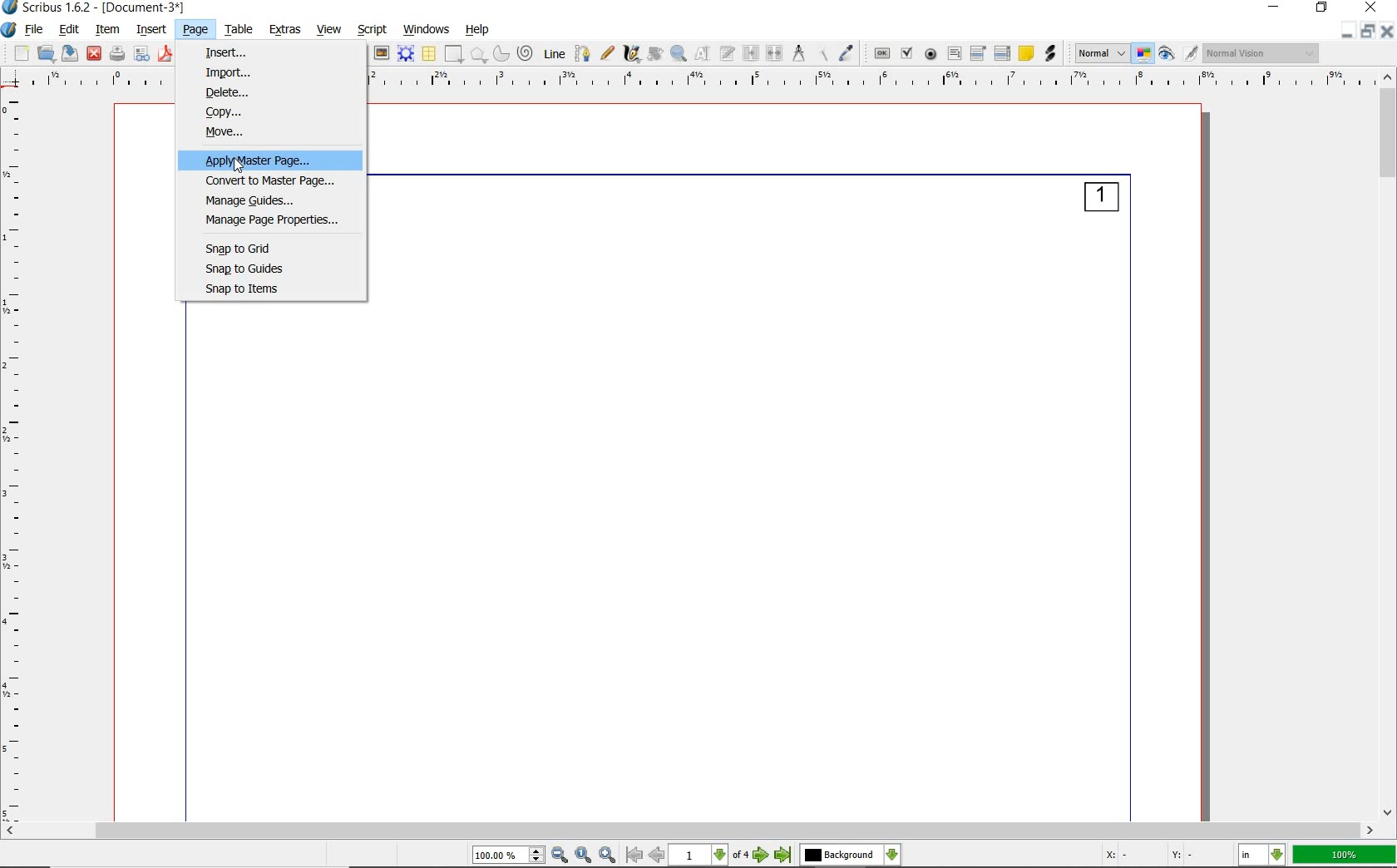 Image resolution: width=1397 pixels, height=868 pixels. I want to click on go to next page, so click(762, 856).